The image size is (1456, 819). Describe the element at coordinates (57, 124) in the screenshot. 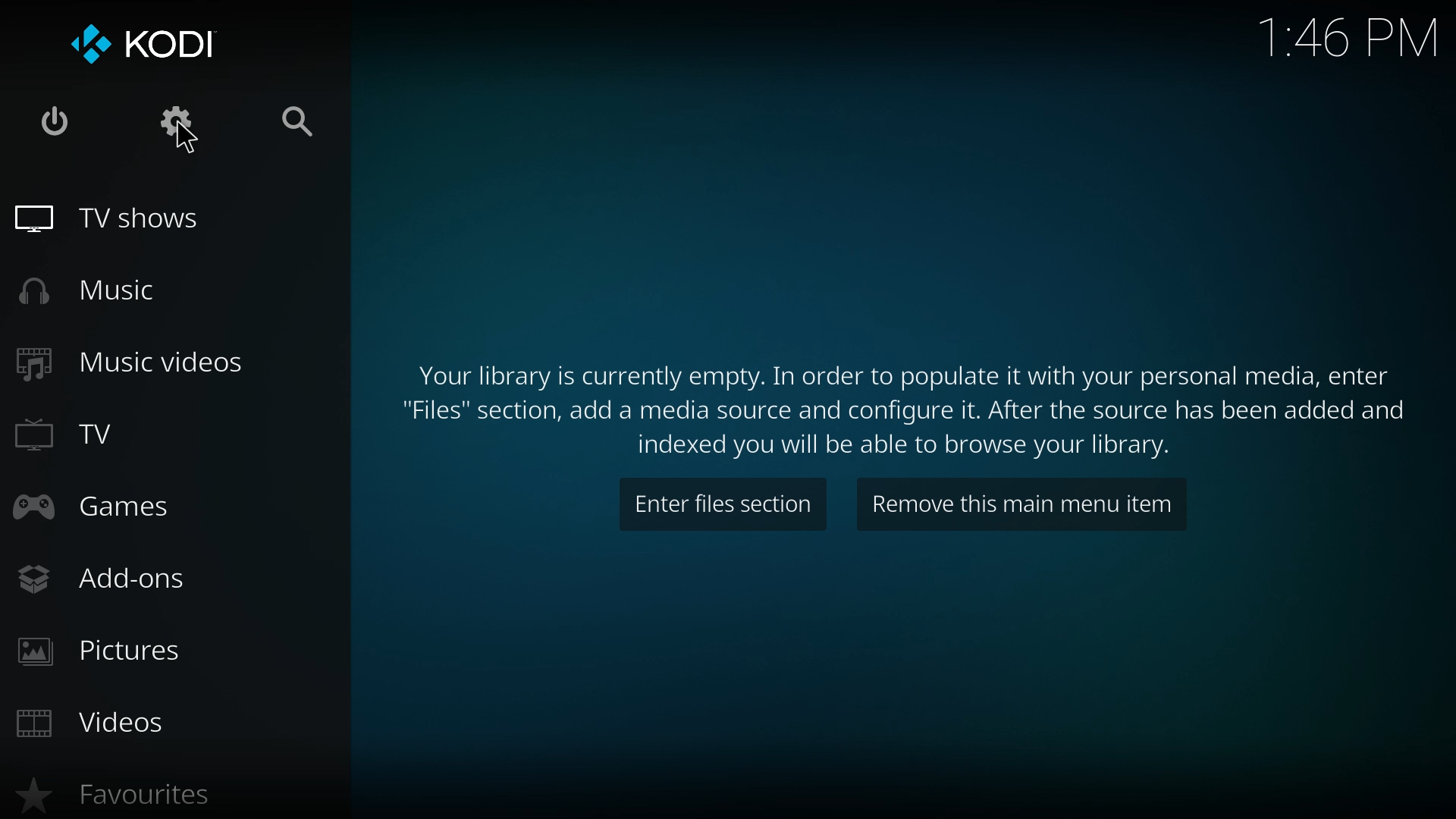

I see `close` at that location.